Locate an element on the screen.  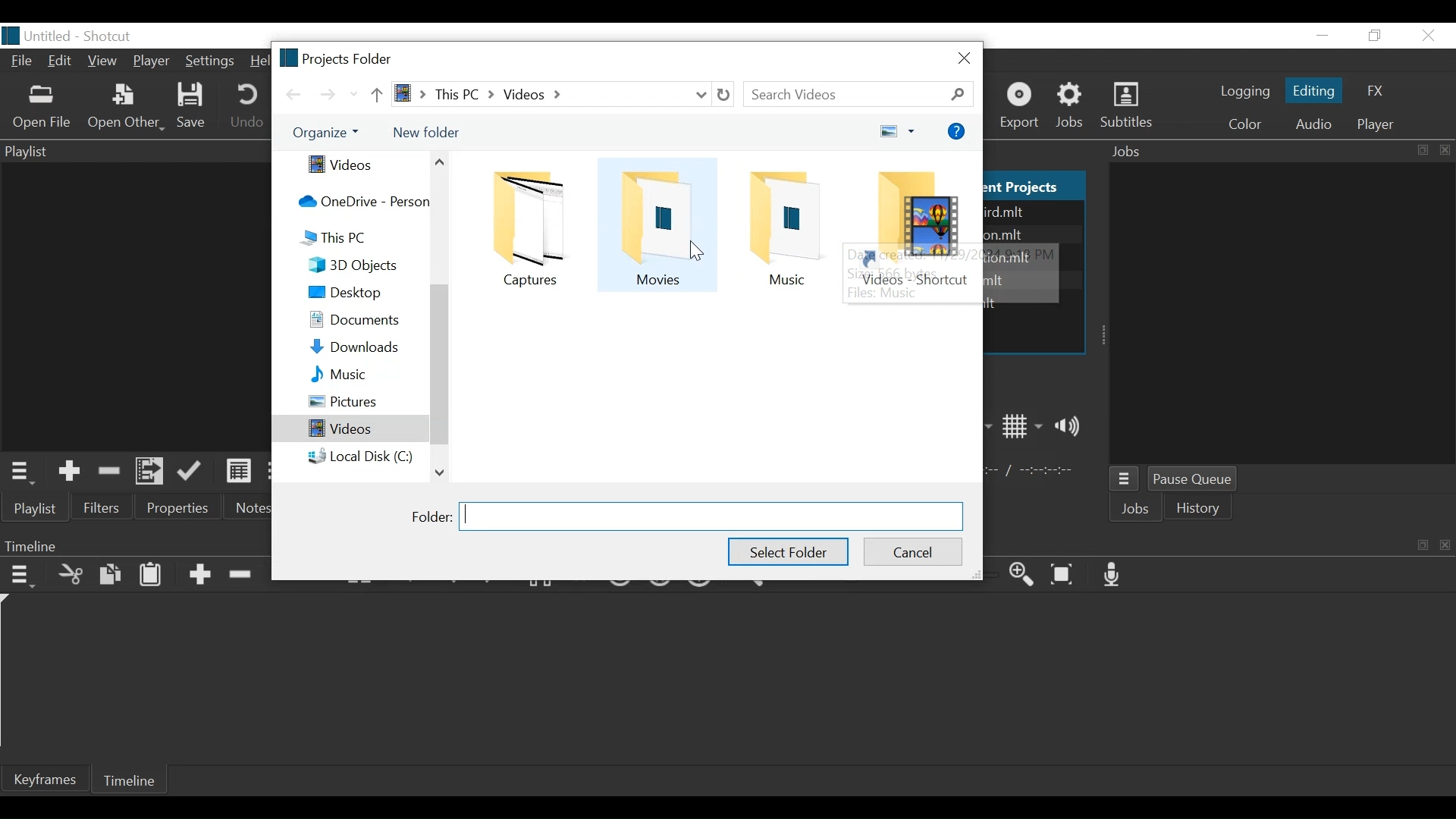
Jobs Menu is located at coordinates (1126, 481).